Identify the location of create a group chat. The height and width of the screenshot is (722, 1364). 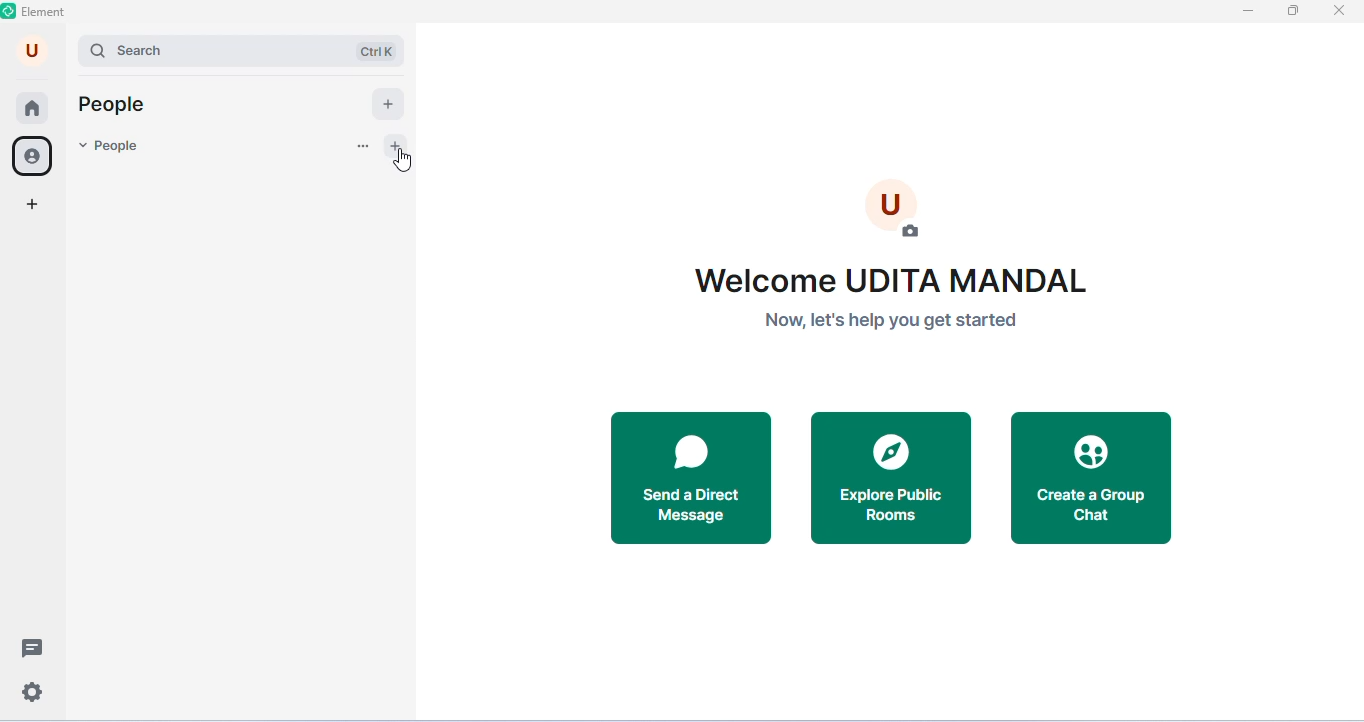
(1092, 479).